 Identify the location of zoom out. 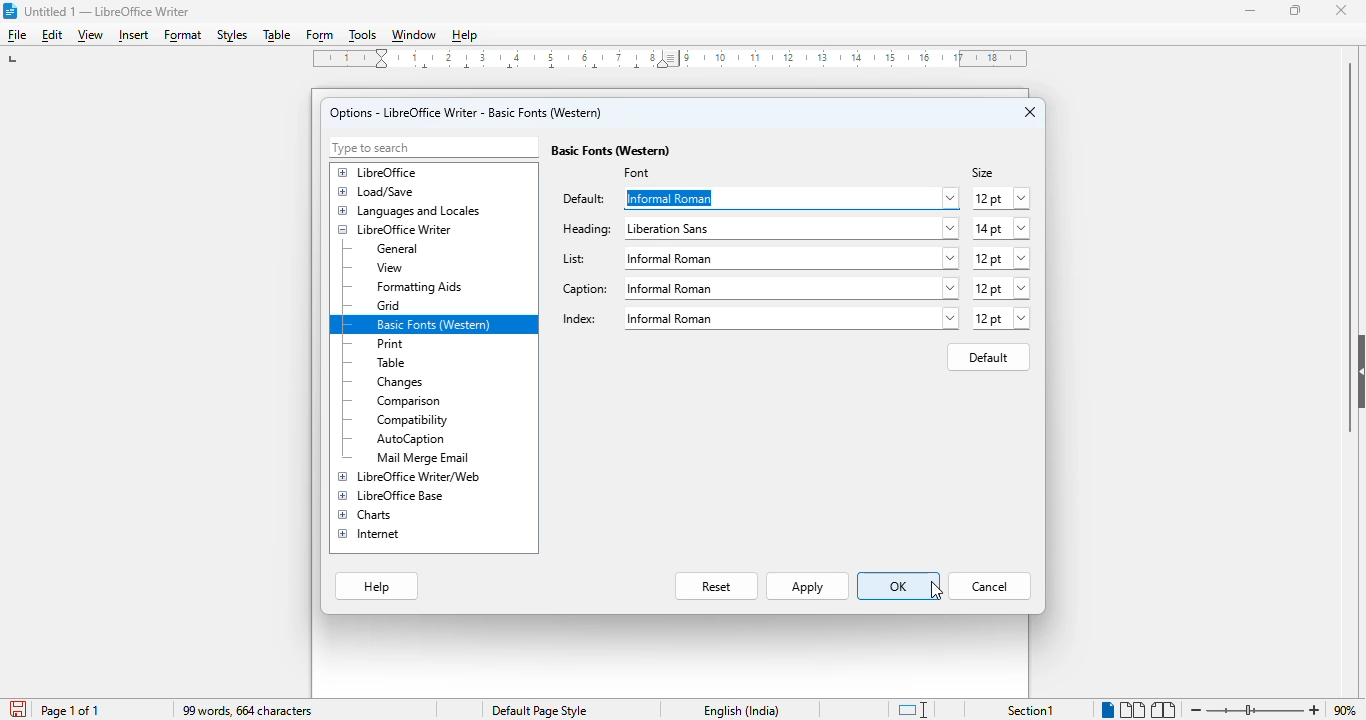
(1195, 711).